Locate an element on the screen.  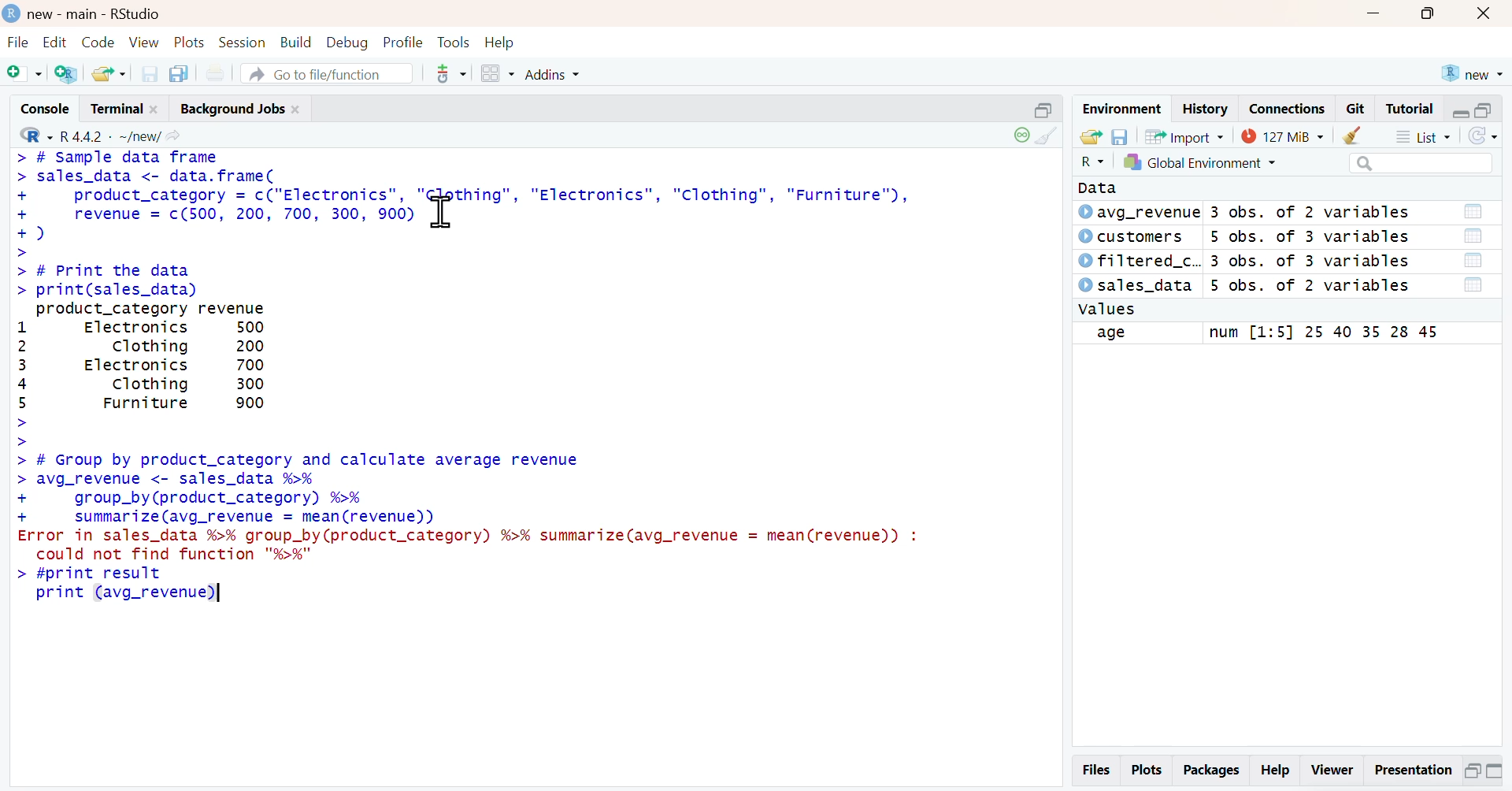
Tools is located at coordinates (455, 43).